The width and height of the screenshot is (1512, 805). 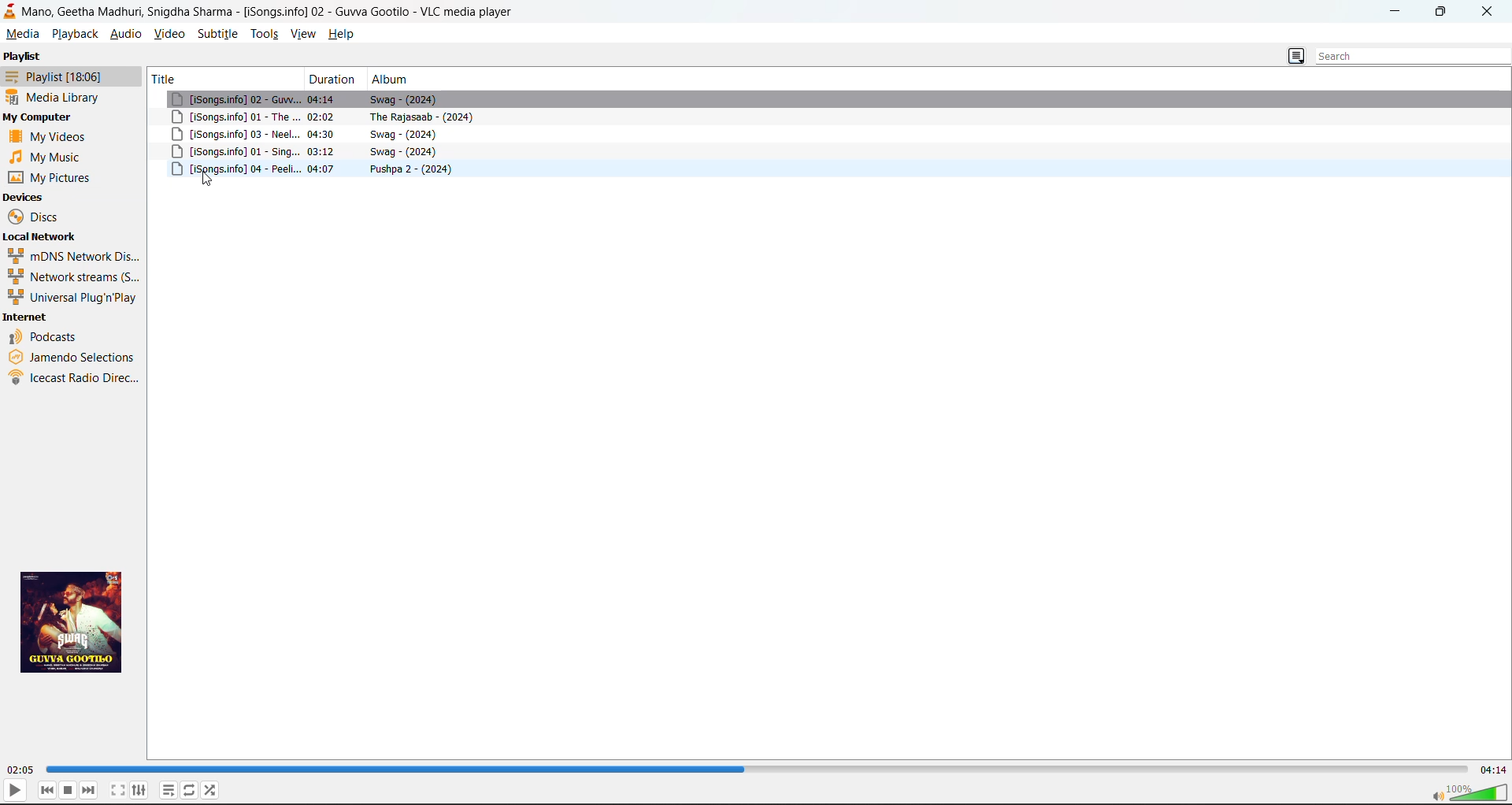 What do you see at coordinates (211, 789) in the screenshot?
I see `random` at bounding box center [211, 789].